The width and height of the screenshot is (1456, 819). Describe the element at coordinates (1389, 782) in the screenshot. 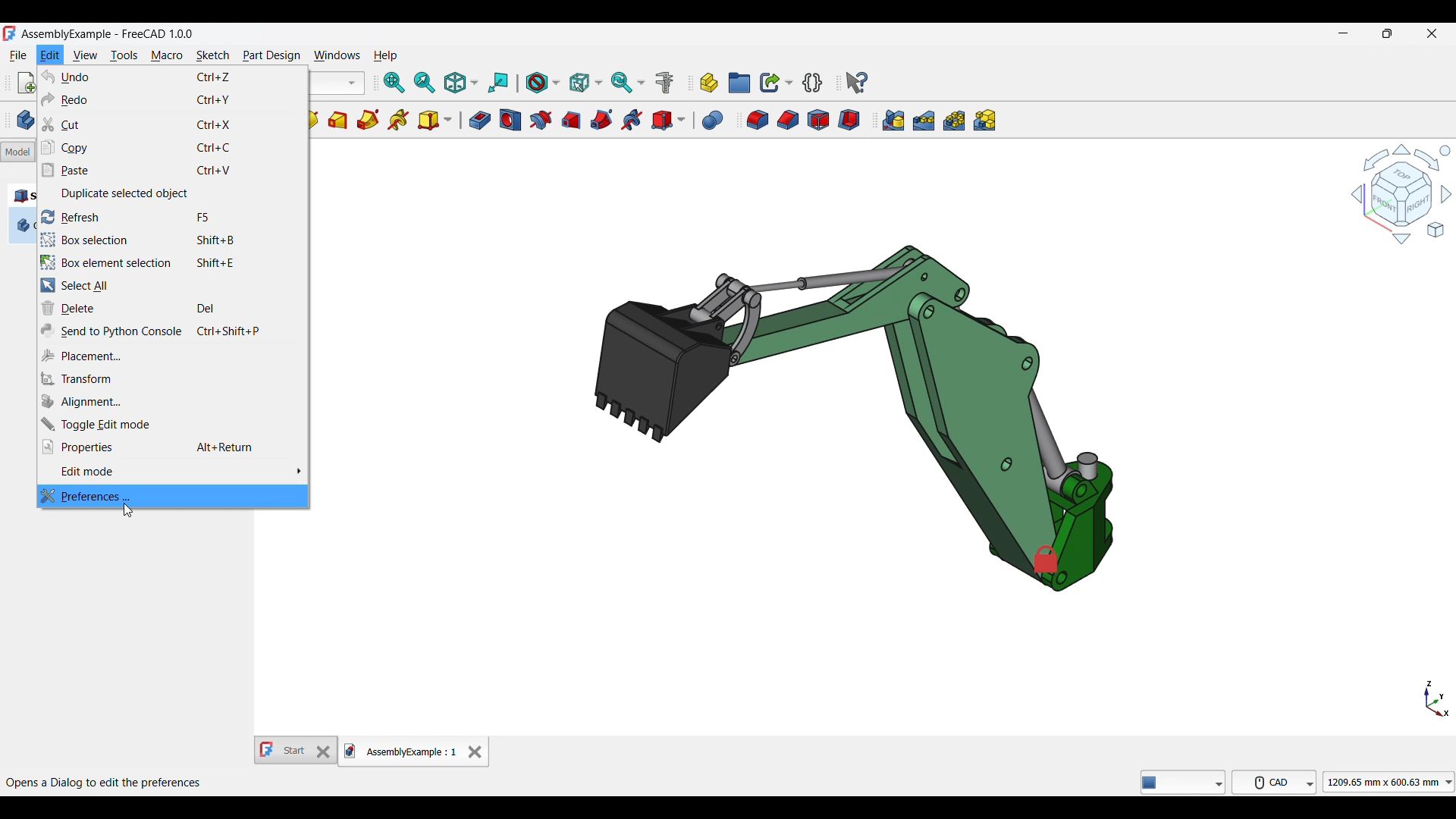

I see `1209.65 mm x 600.63 mm` at that location.